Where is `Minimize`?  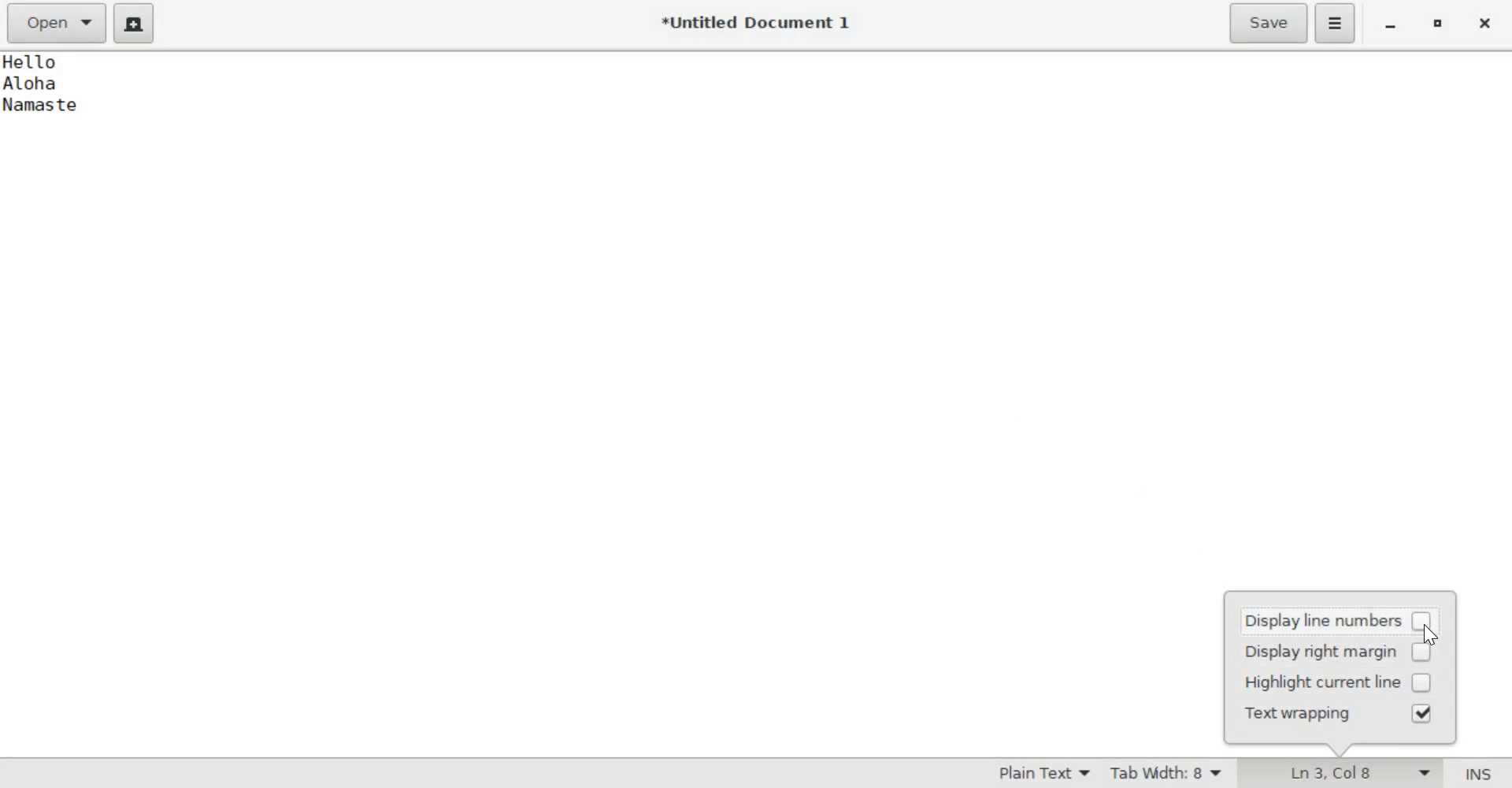 Minimize is located at coordinates (1389, 27).